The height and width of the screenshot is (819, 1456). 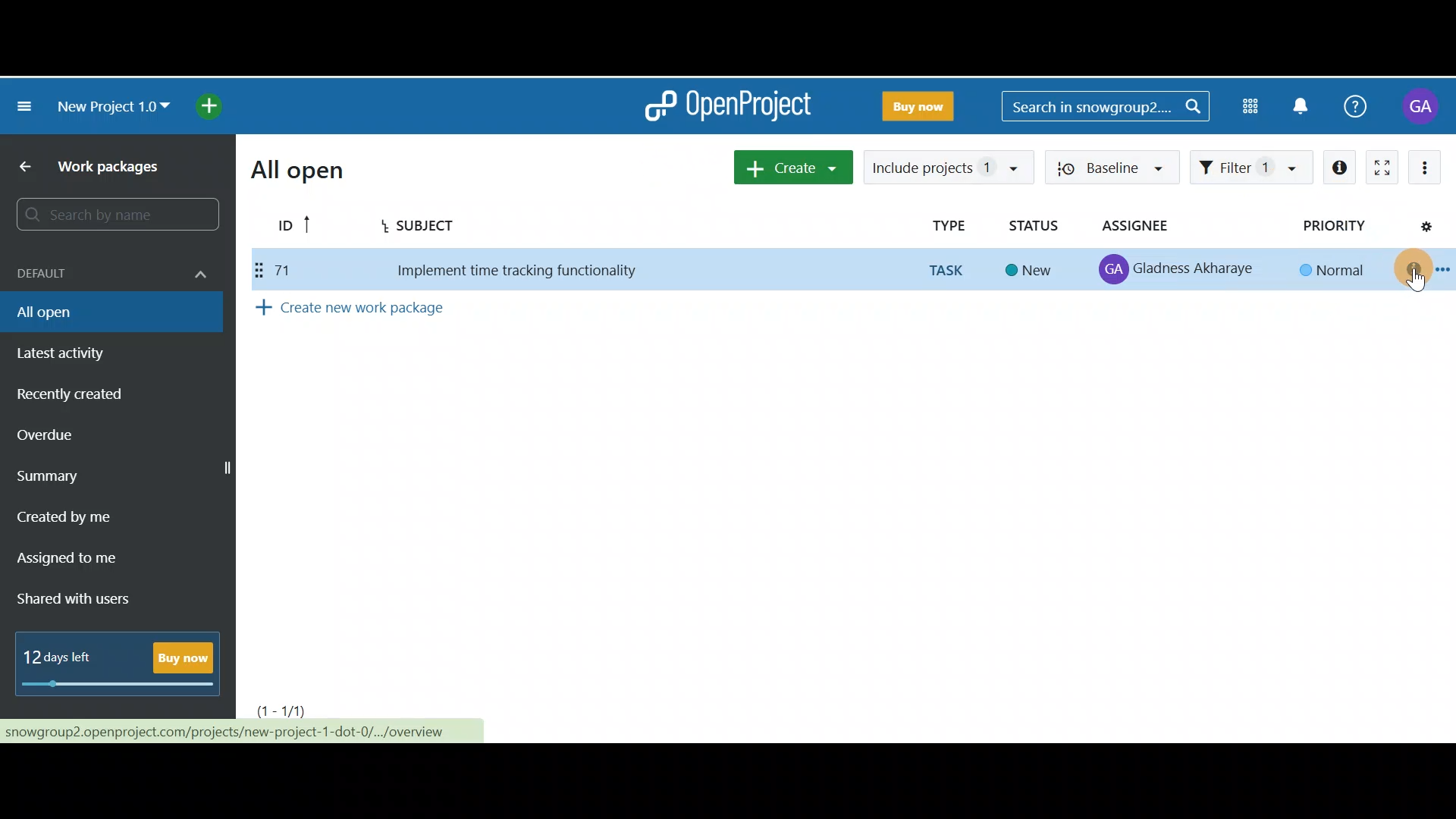 I want to click on nowgroup2.openproject.com/projects/new-project-1-dot-0/.../overview, so click(x=240, y=731).